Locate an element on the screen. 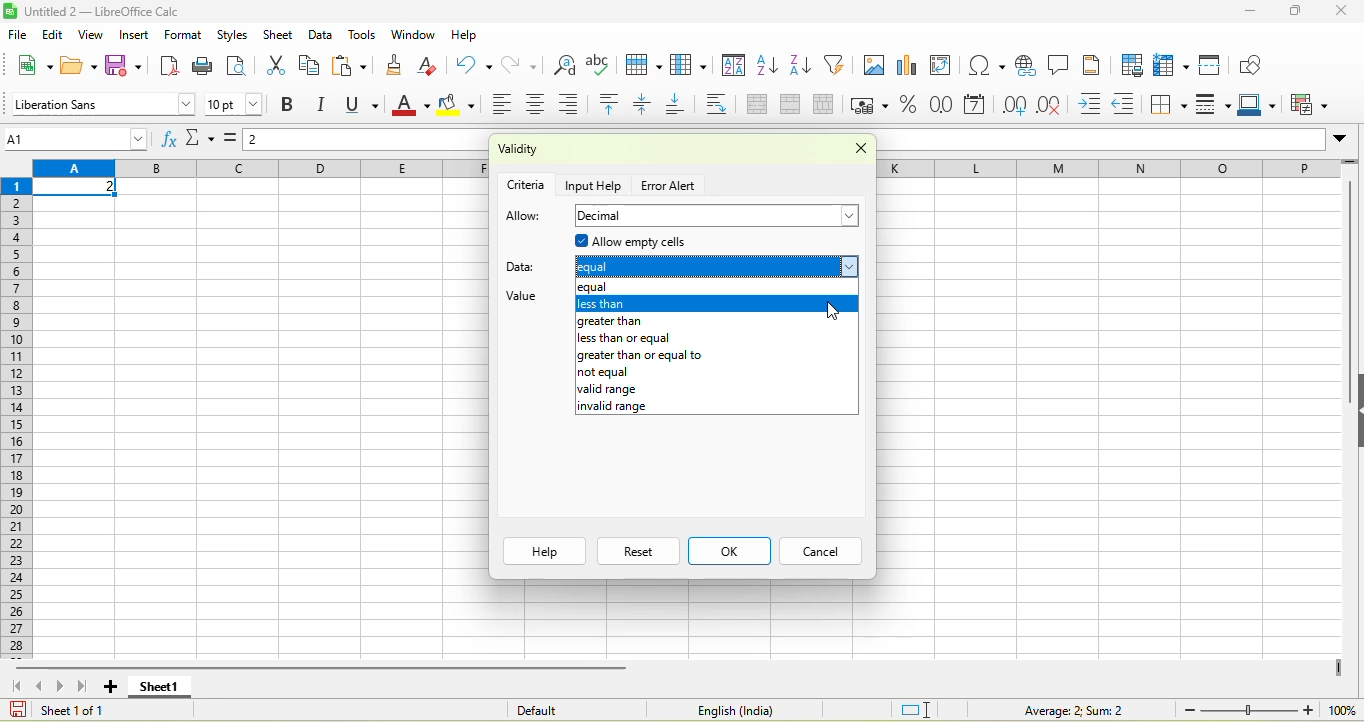 Image resolution: width=1364 pixels, height=722 pixels. paste is located at coordinates (352, 66).